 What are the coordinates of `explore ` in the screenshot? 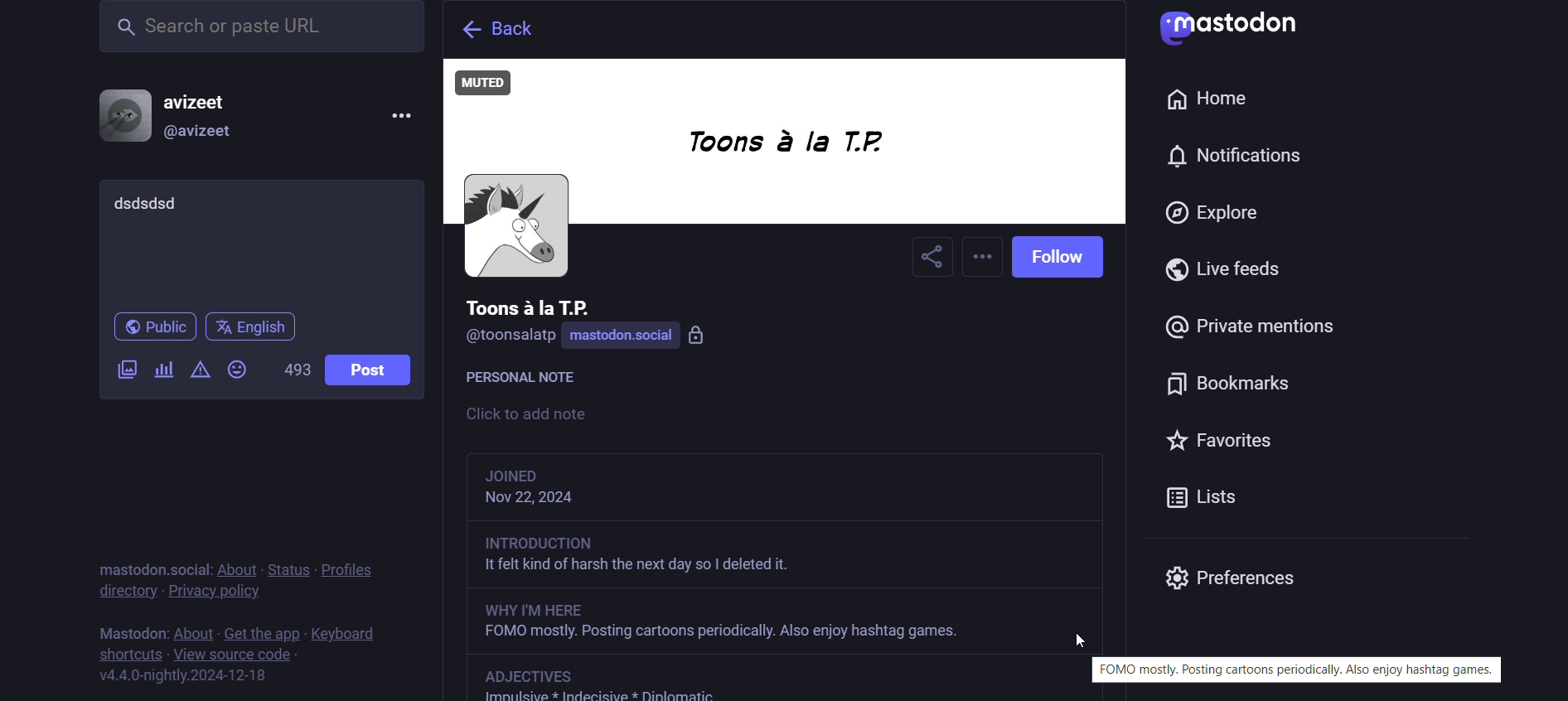 It's located at (1217, 217).